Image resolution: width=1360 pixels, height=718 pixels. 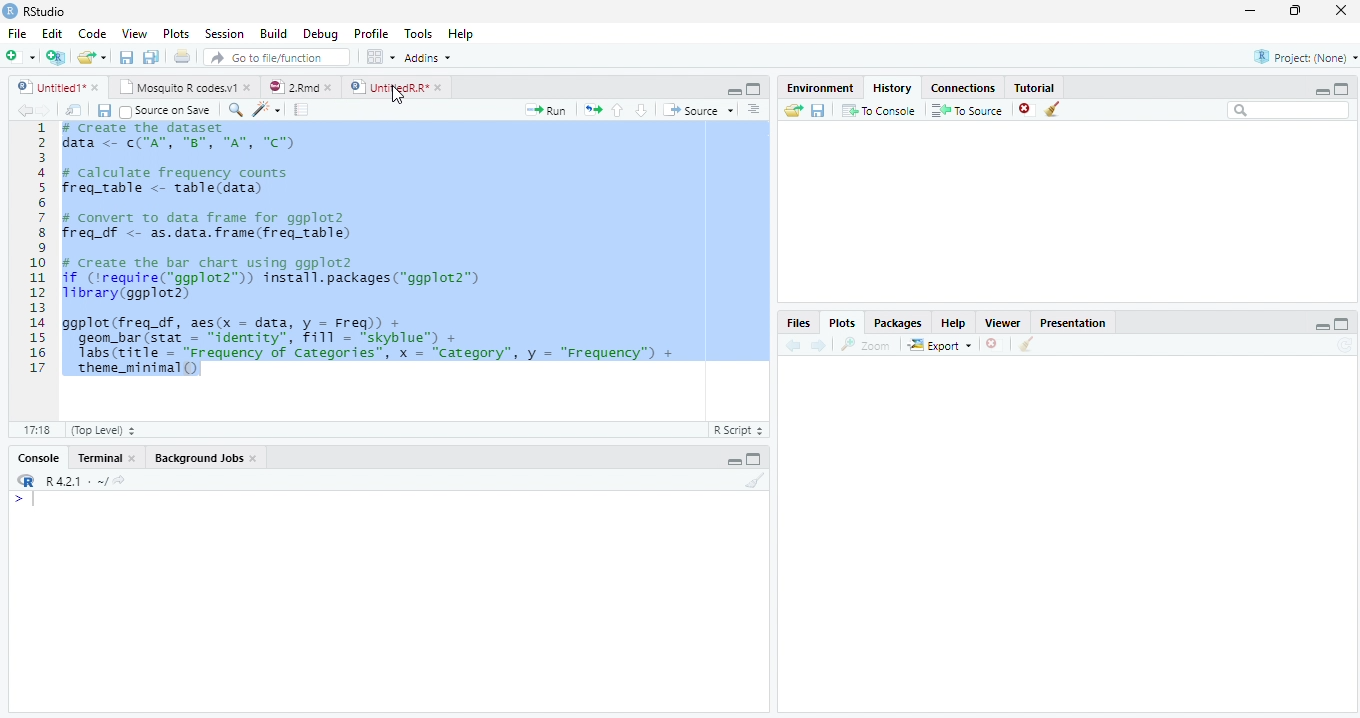 What do you see at coordinates (430, 58) in the screenshot?
I see `Addins` at bounding box center [430, 58].